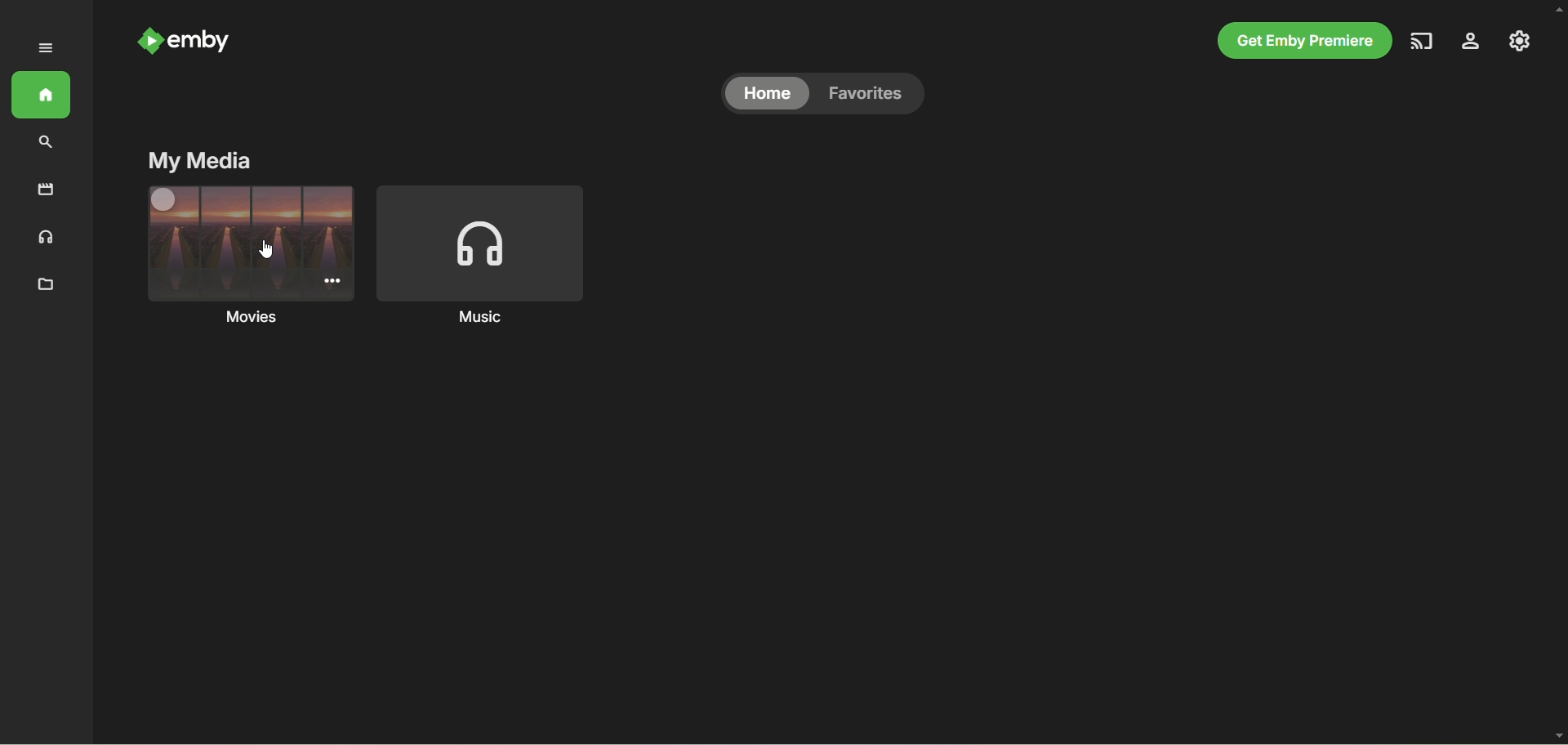  Describe the element at coordinates (1474, 41) in the screenshot. I see `settings` at that location.